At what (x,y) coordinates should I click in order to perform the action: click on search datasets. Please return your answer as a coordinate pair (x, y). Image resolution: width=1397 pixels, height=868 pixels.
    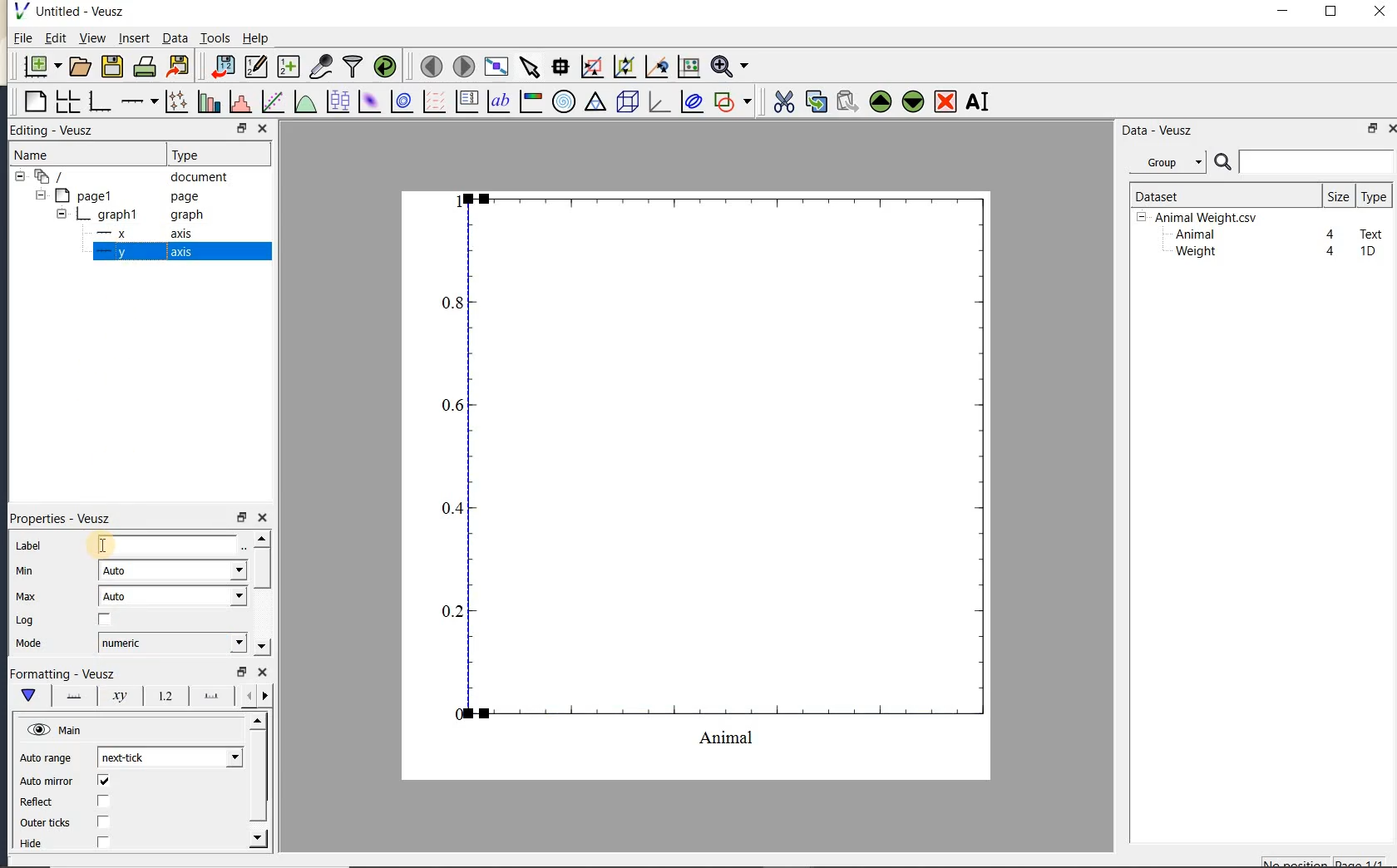
    Looking at the image, I should click on (1304, 162).